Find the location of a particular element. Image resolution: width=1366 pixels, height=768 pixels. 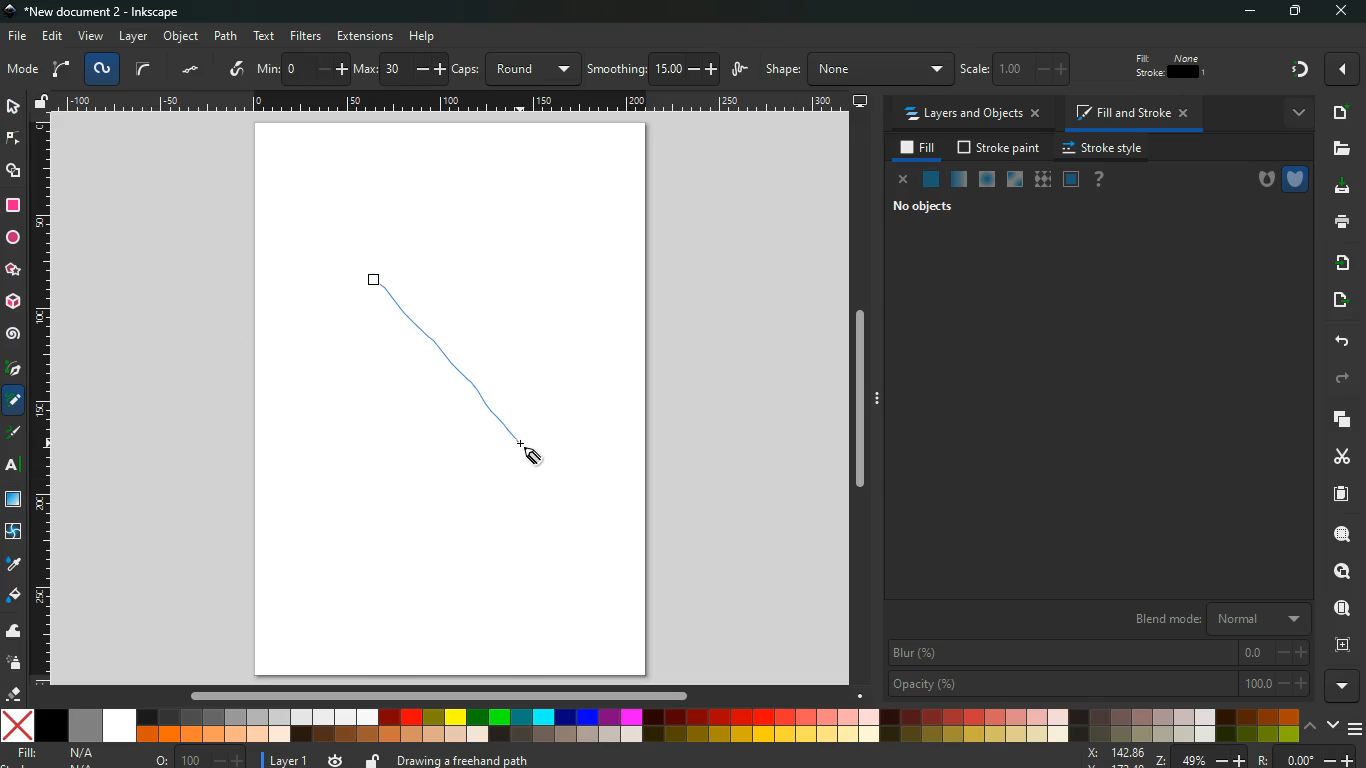

close is located at coordinates (905, 183).